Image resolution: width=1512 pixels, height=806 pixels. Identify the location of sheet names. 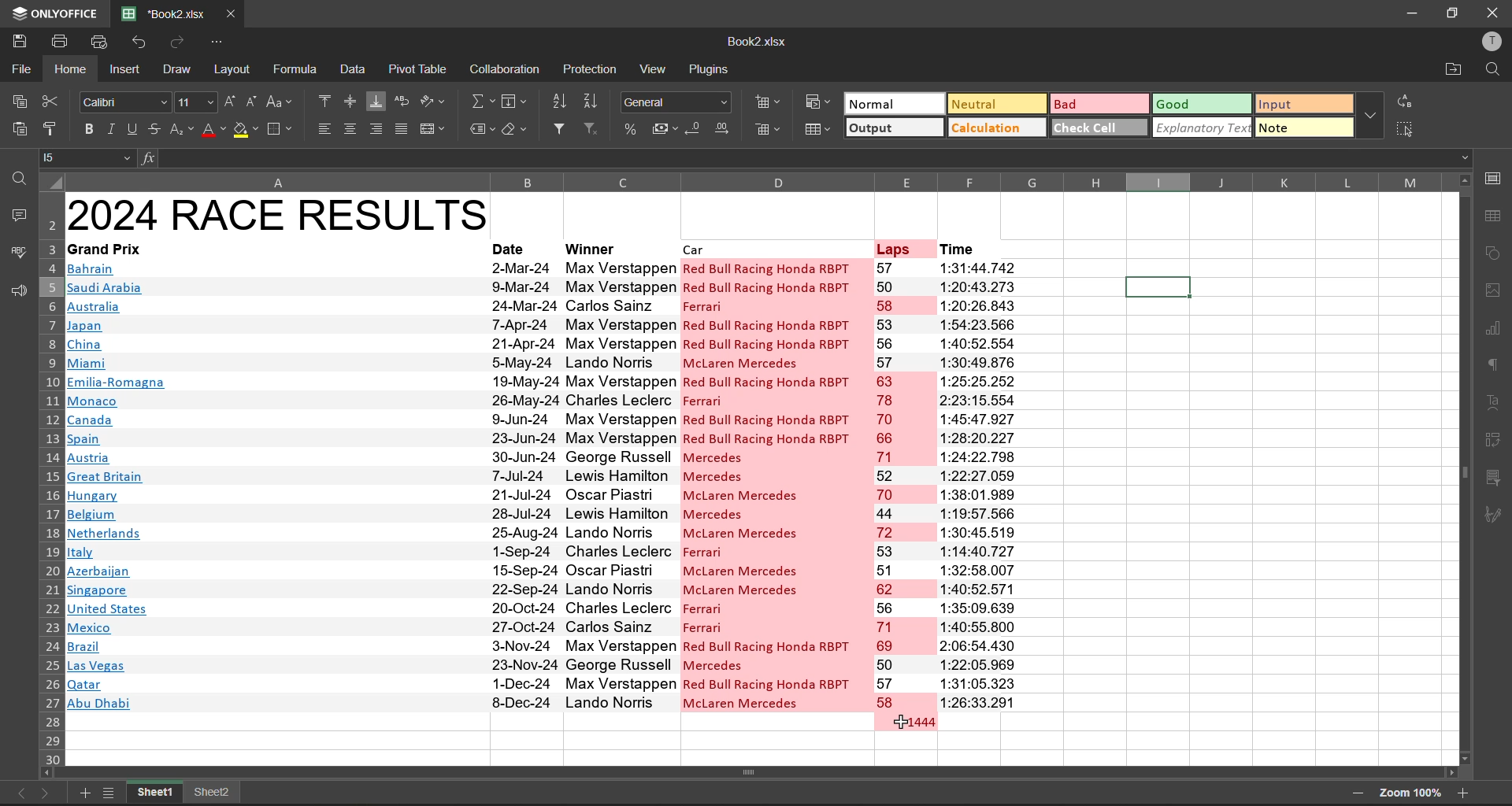
(213, 793).